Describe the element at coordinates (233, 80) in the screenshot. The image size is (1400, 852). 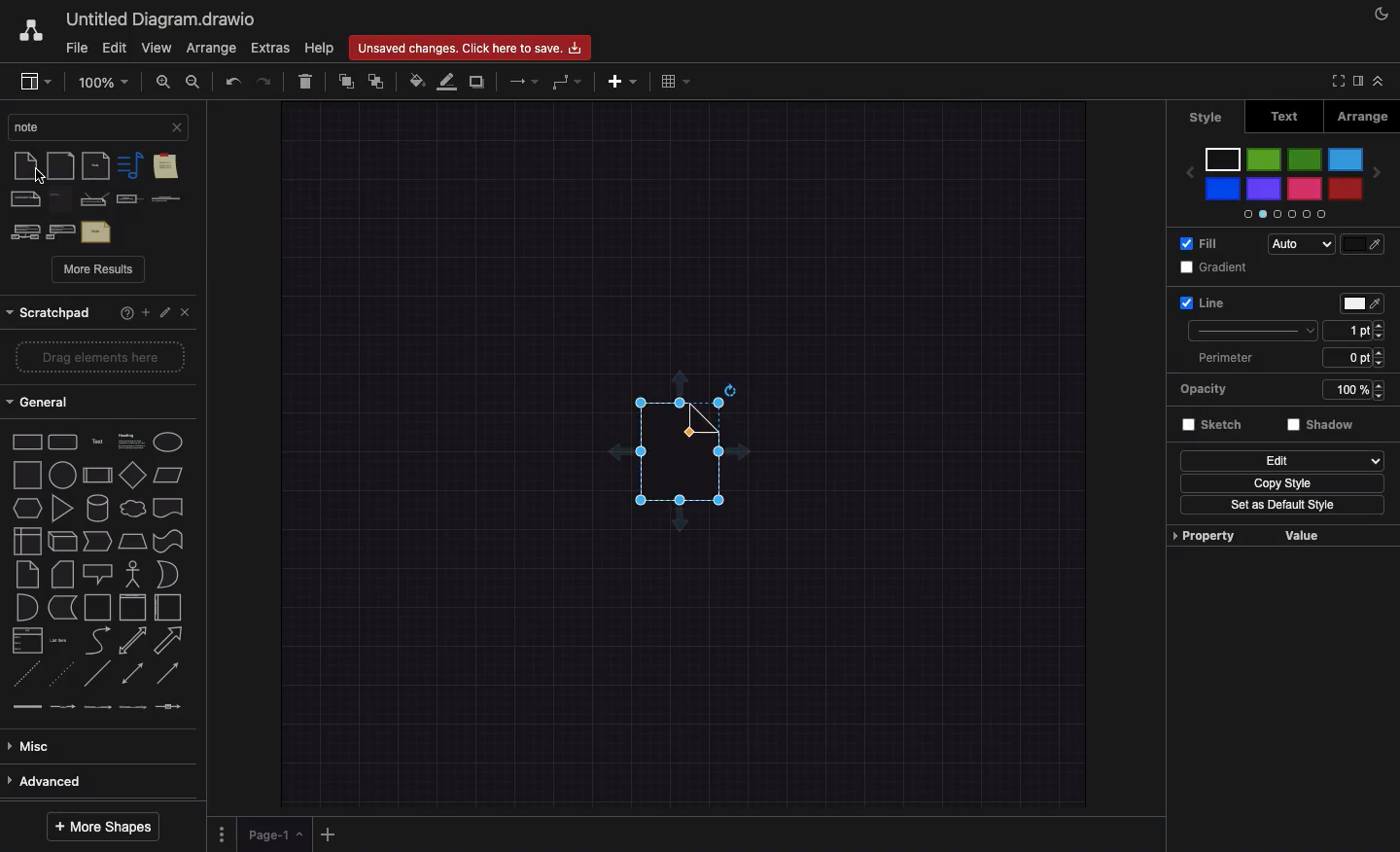
I see `Undo` at that location.